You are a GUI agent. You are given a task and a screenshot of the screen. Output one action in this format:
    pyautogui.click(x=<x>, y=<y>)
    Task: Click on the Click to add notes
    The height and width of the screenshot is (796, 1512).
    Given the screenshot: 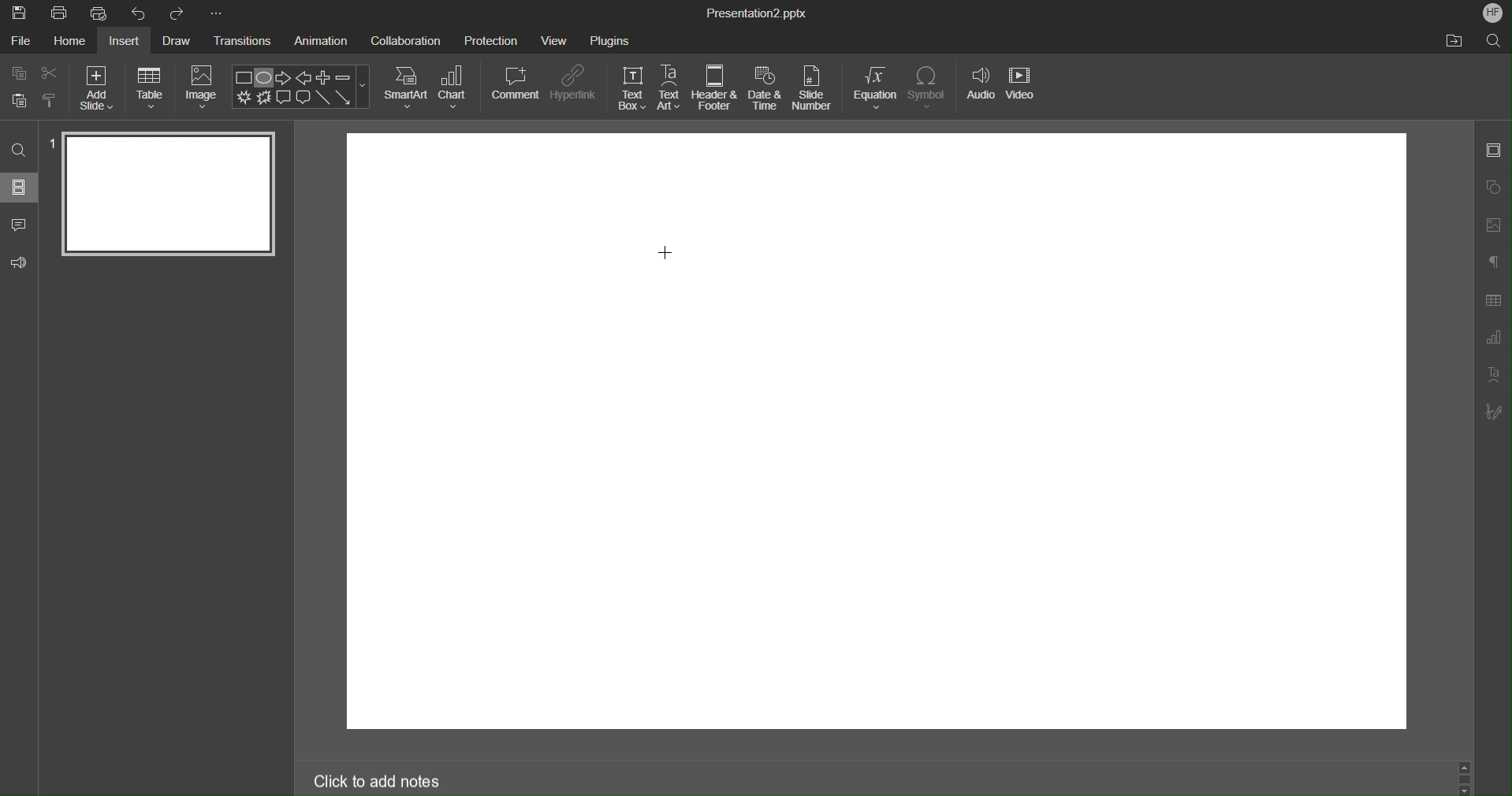 What is the action you would take?
    pyautogui.click(x=378, y=782)
    